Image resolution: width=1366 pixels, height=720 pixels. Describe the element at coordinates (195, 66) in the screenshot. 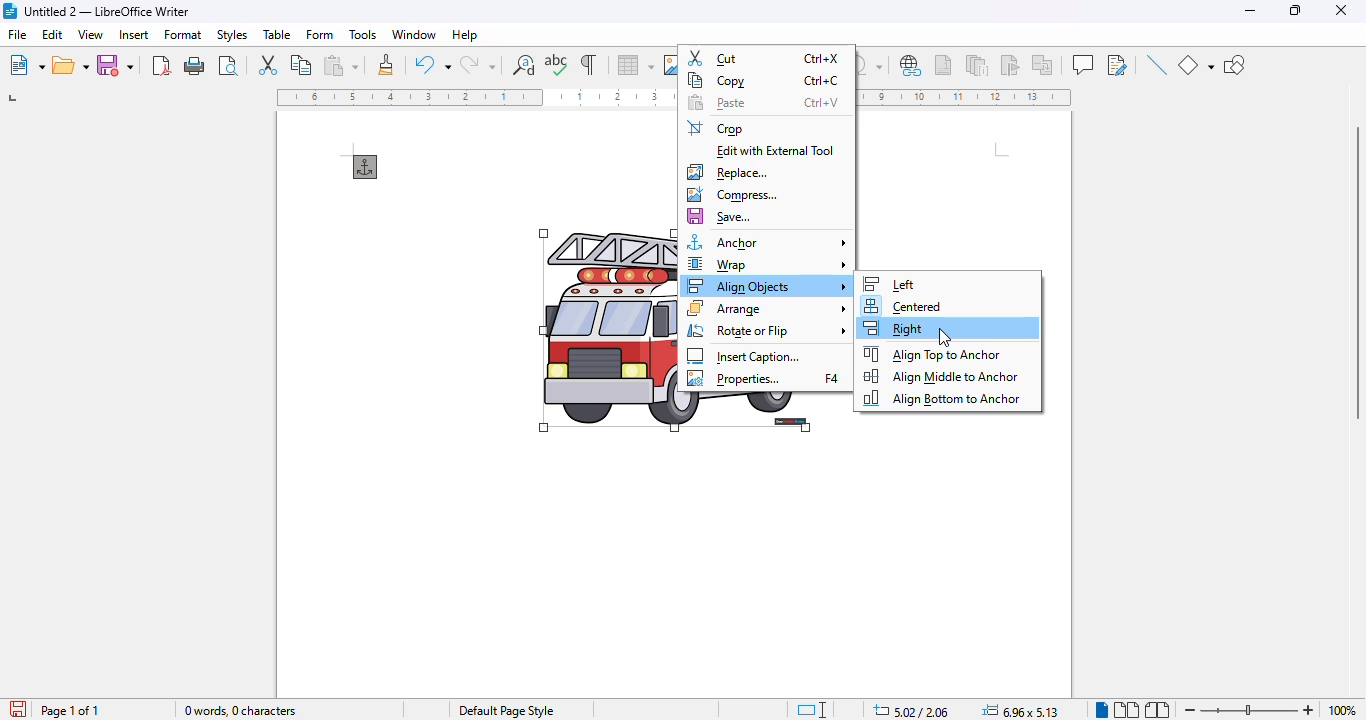

I see `print` at that location.